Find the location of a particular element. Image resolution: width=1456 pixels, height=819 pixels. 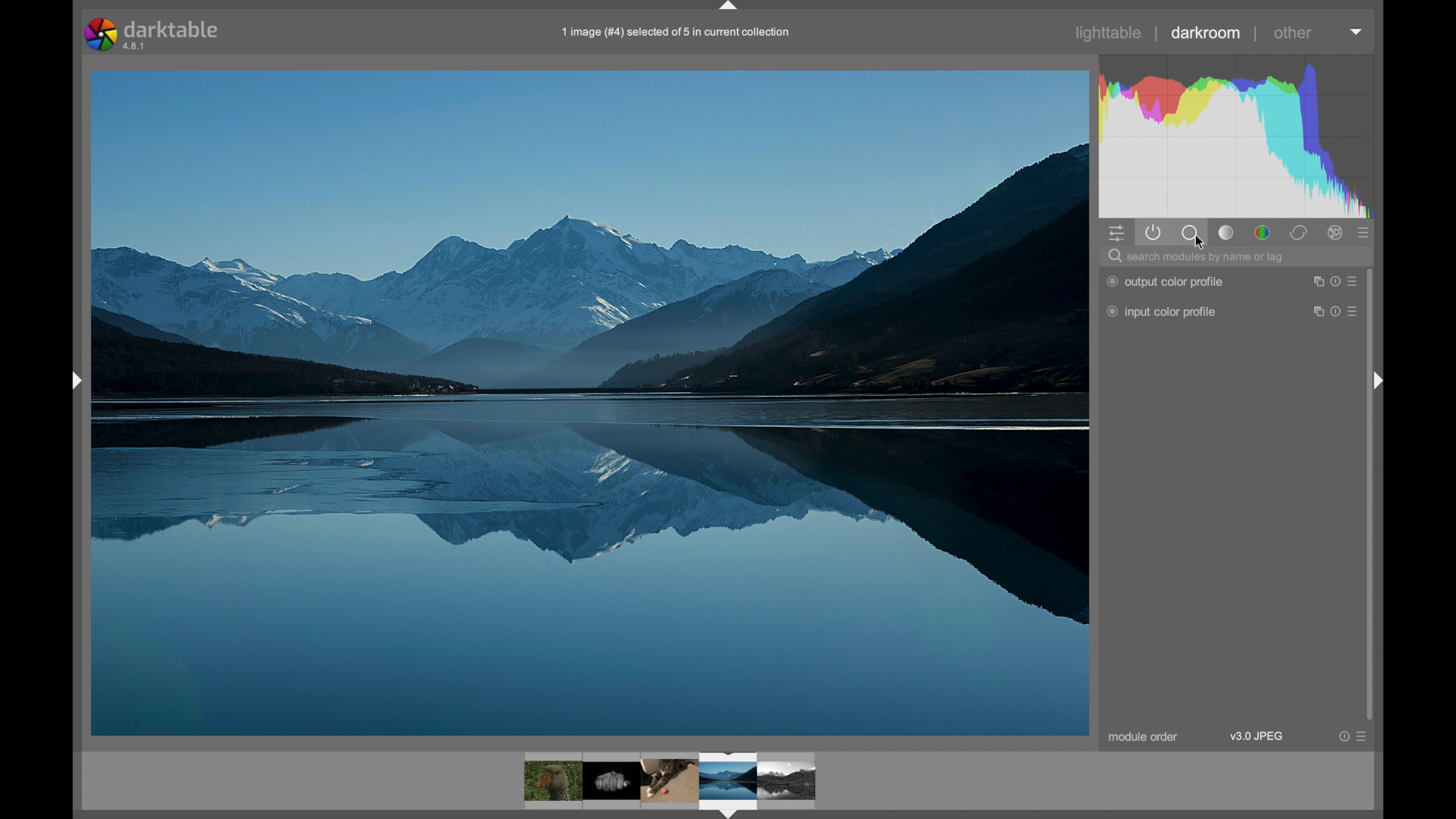

tone is located at coordinates (1227, 233).